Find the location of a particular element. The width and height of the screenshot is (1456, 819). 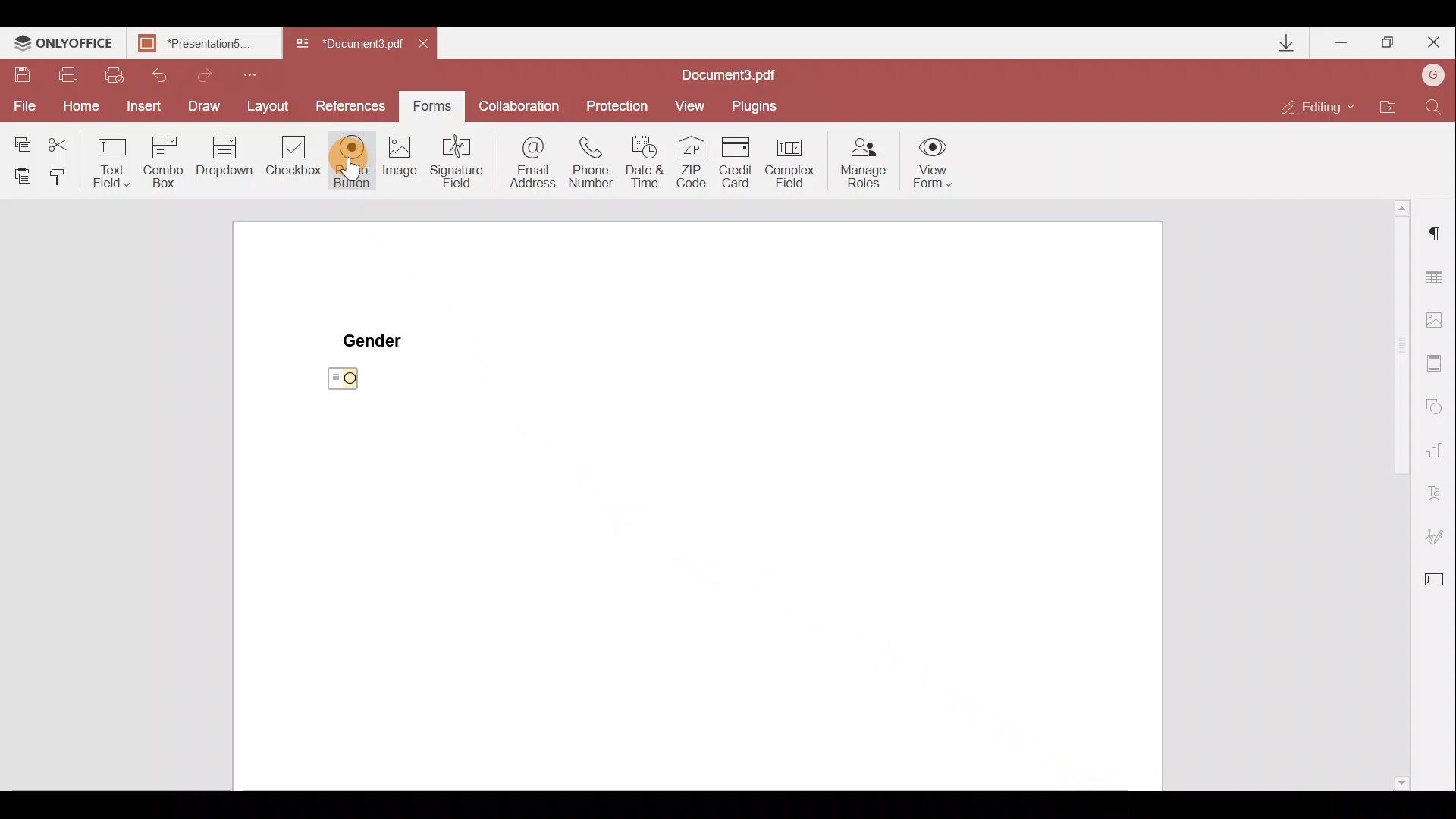

Image settings is located at coordinates (1442, 321).